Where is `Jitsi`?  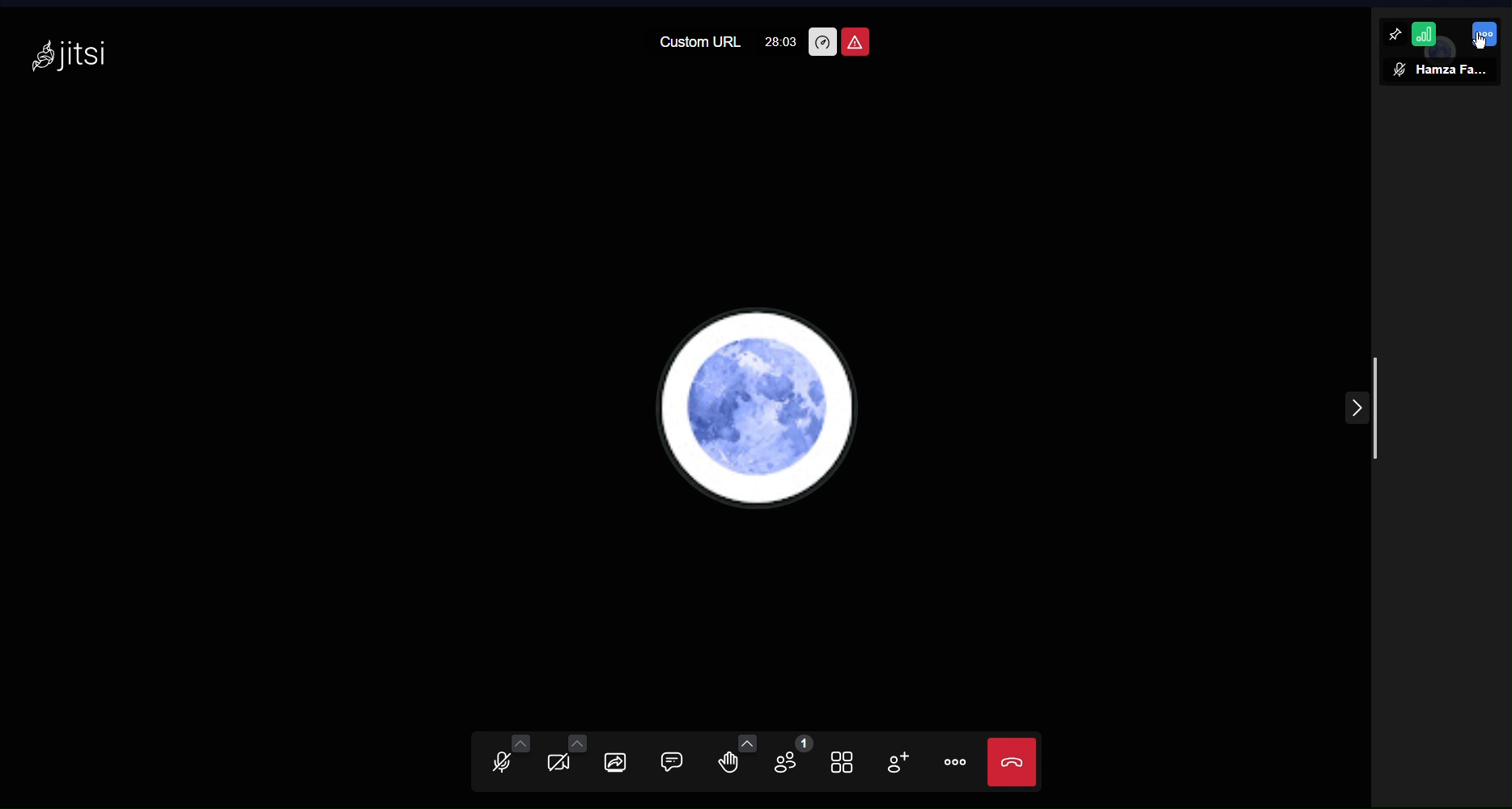 Jitsi is located at coordinates (70, 54).